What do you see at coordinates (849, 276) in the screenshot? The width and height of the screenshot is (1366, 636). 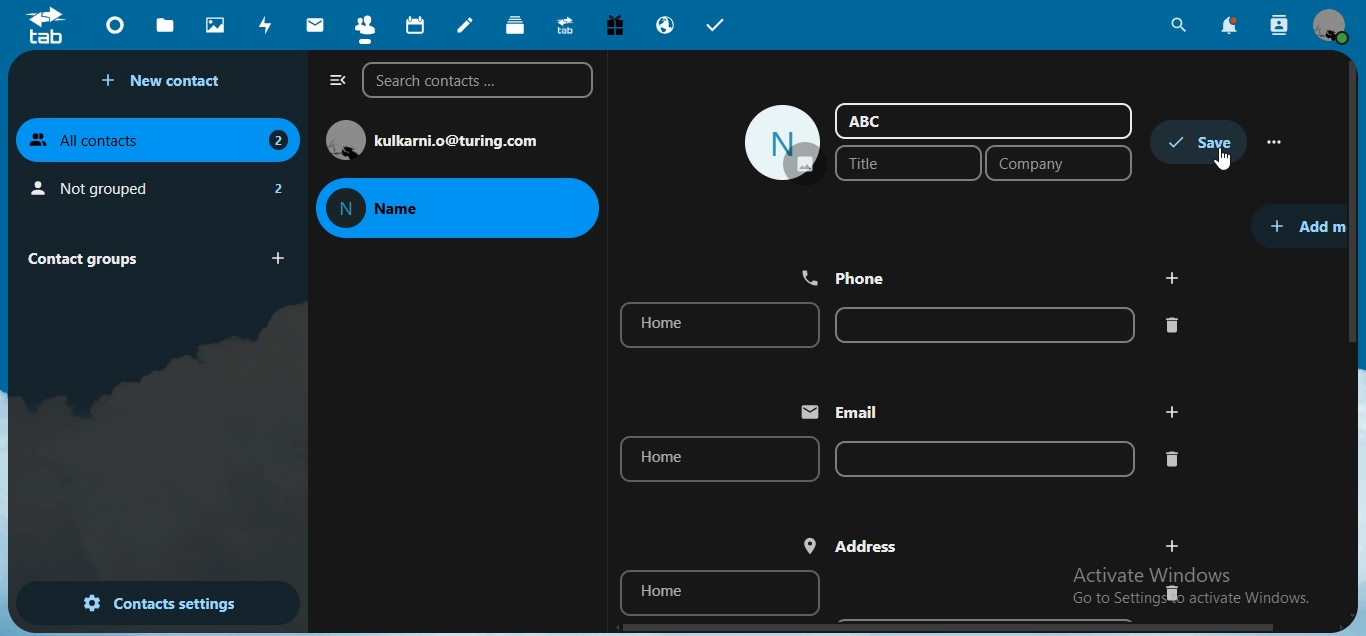 I see `phone` at bounding box center [849, 276].